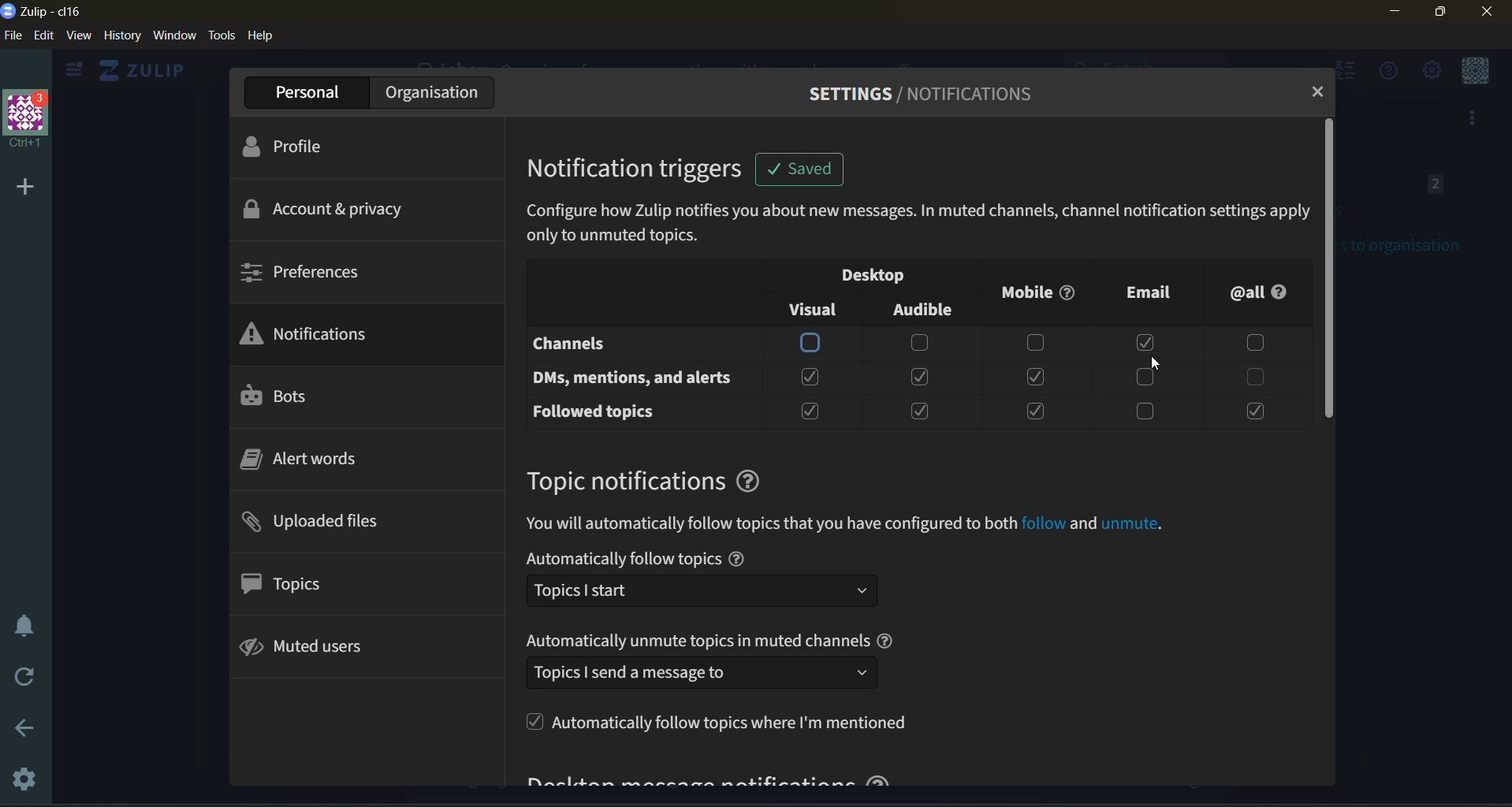 The image size is (1512, 807). What do you see at coordinates (1316, 91) in the screenshot?
I see `close` at bounding box center [1316, 91].